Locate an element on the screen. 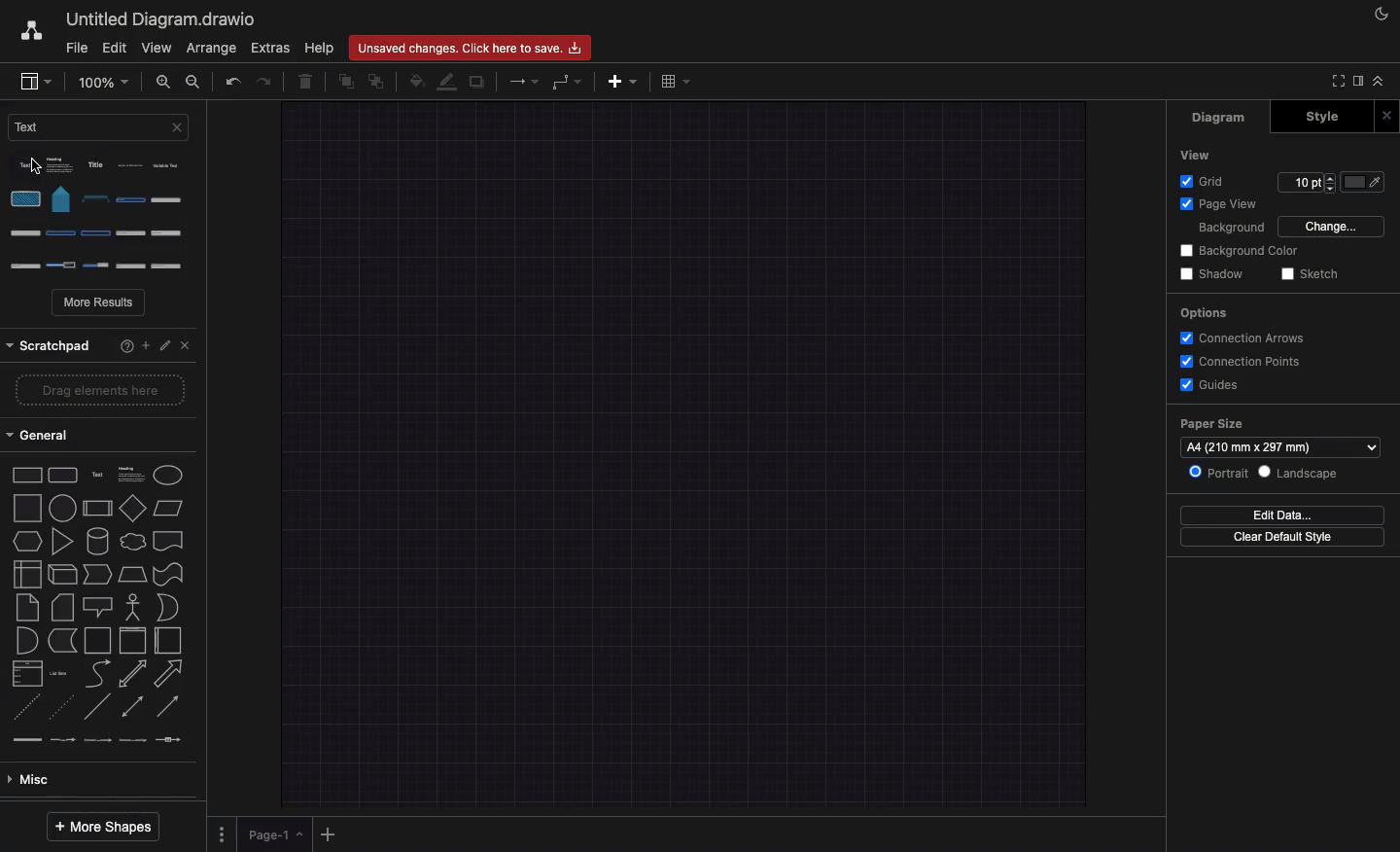 The image size is (1400, 852). Add is located at coordinates (145, 343).